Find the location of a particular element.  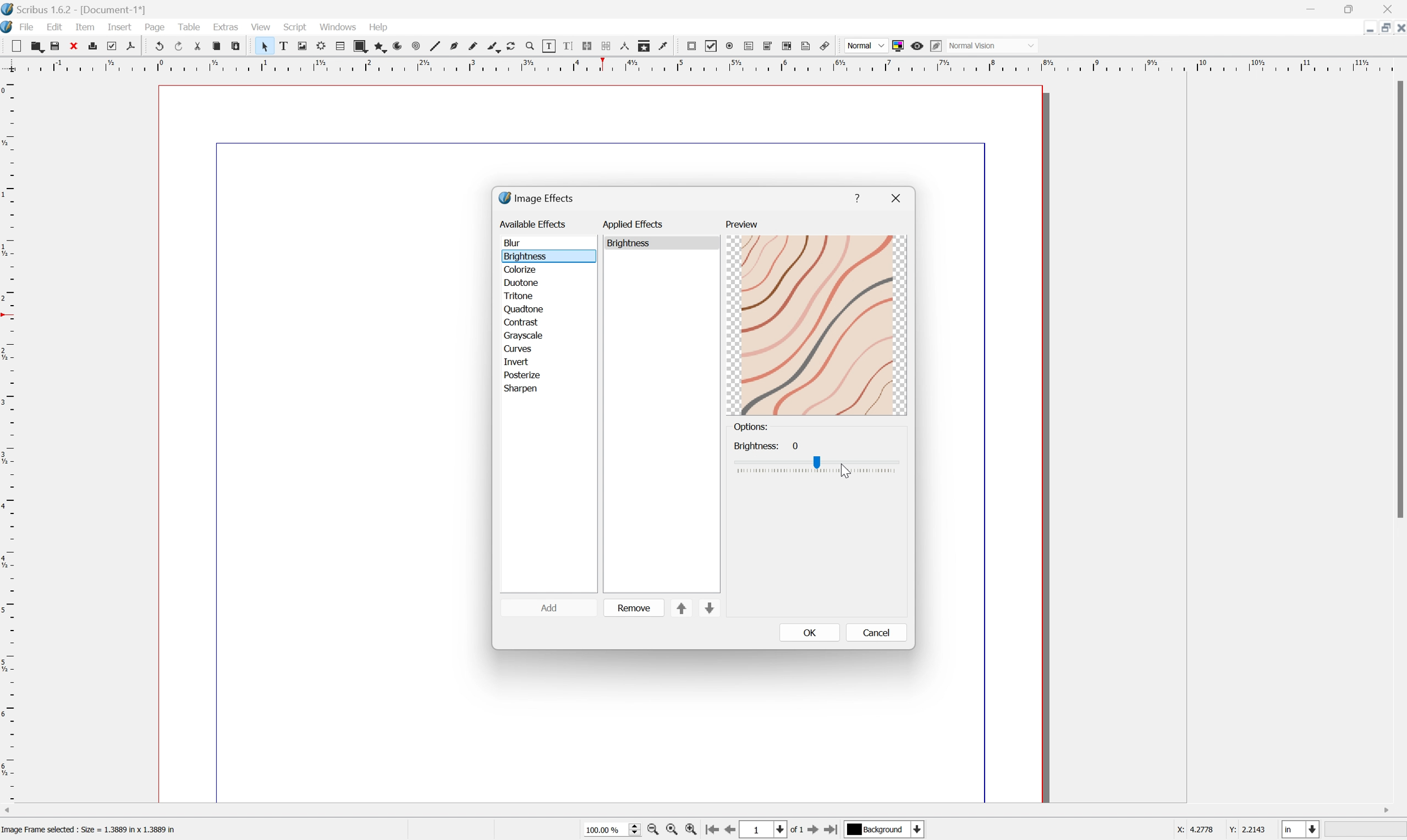

Unlink text frames is located at coordinates (608, 46).